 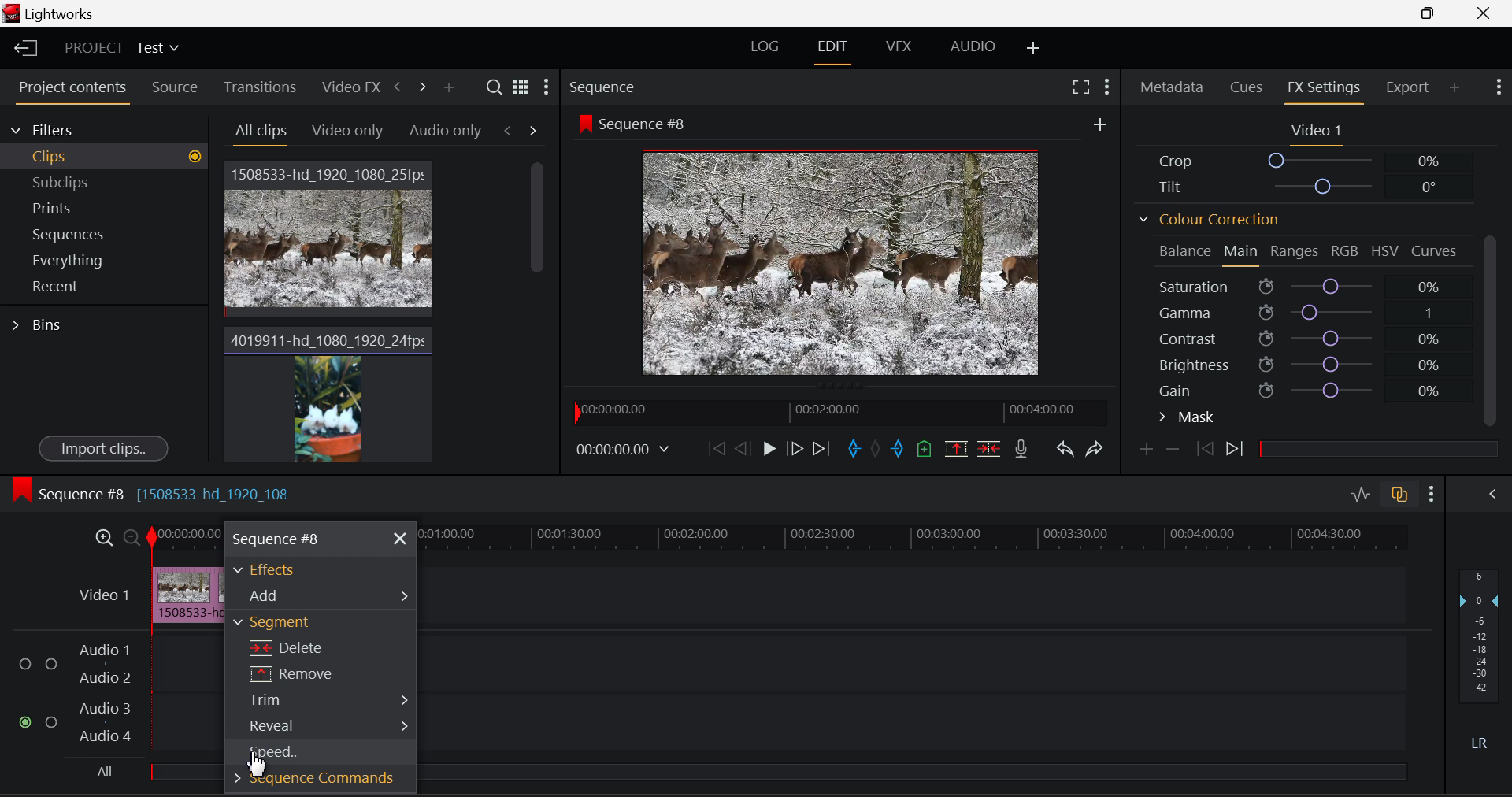 I want to click on Settings, so click(x=549, y=87).